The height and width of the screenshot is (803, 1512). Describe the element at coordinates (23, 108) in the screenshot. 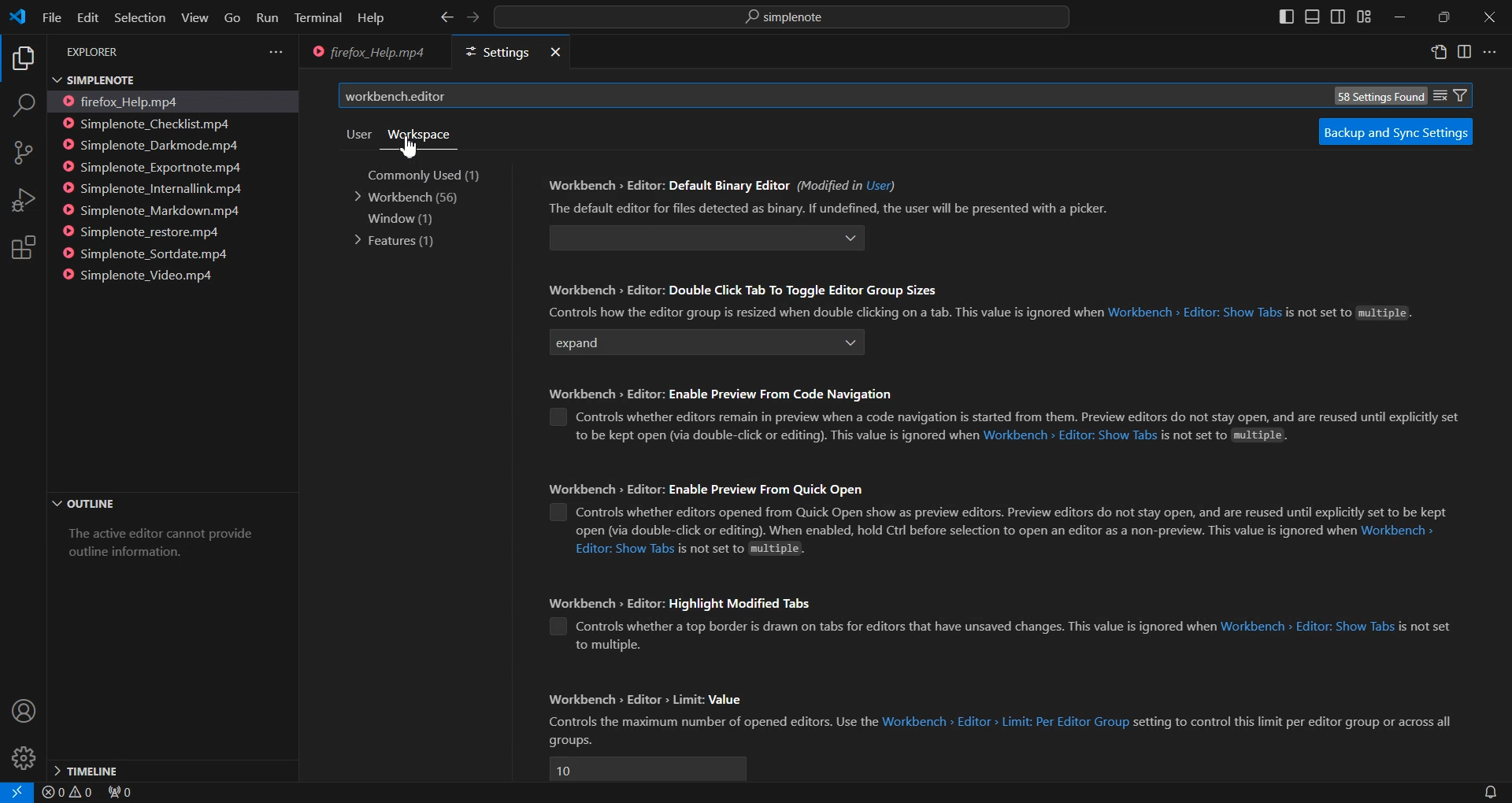

I see `Search` at that location.